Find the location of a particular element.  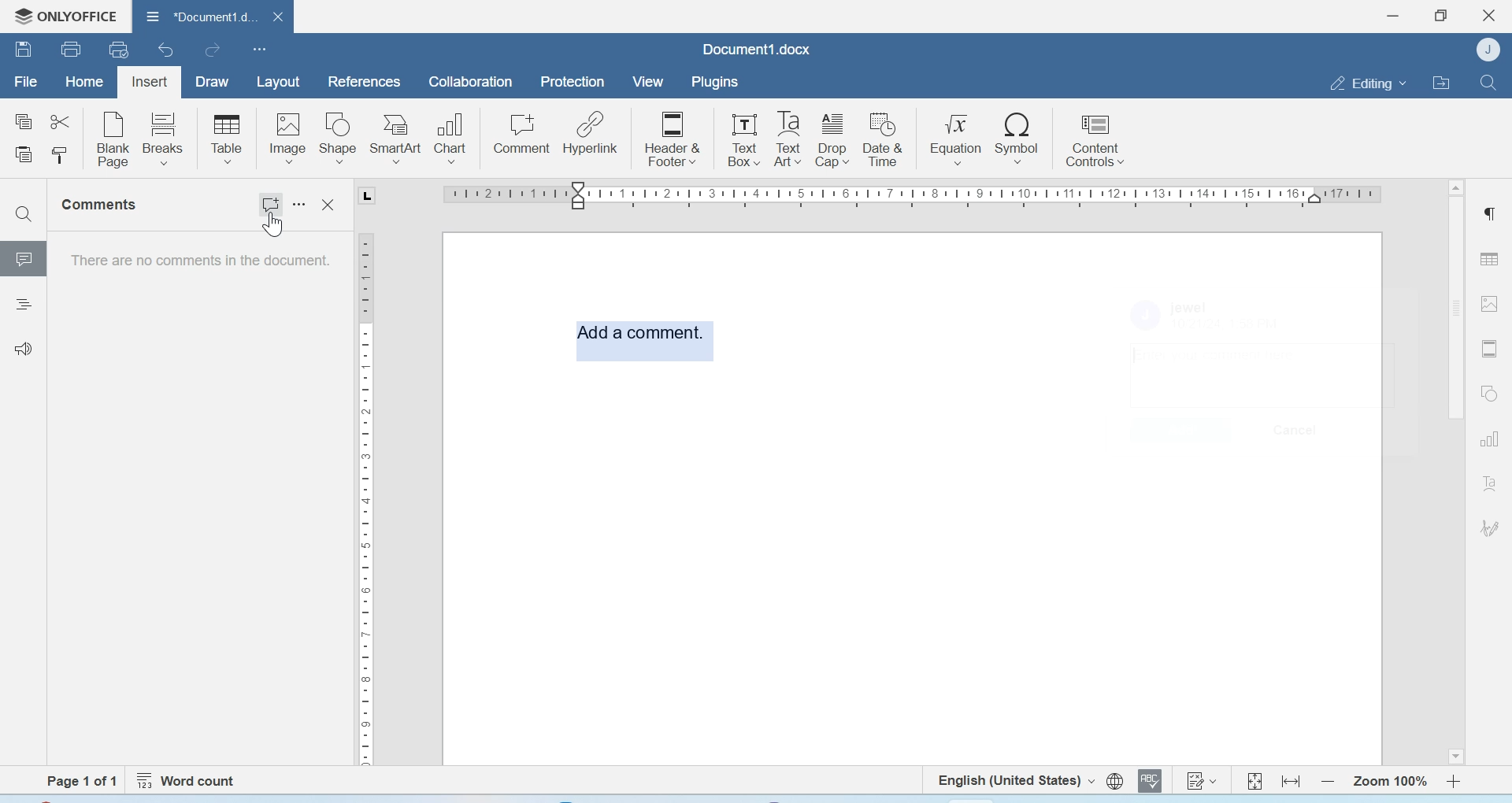

cursor is located at coordinates (272, 227).